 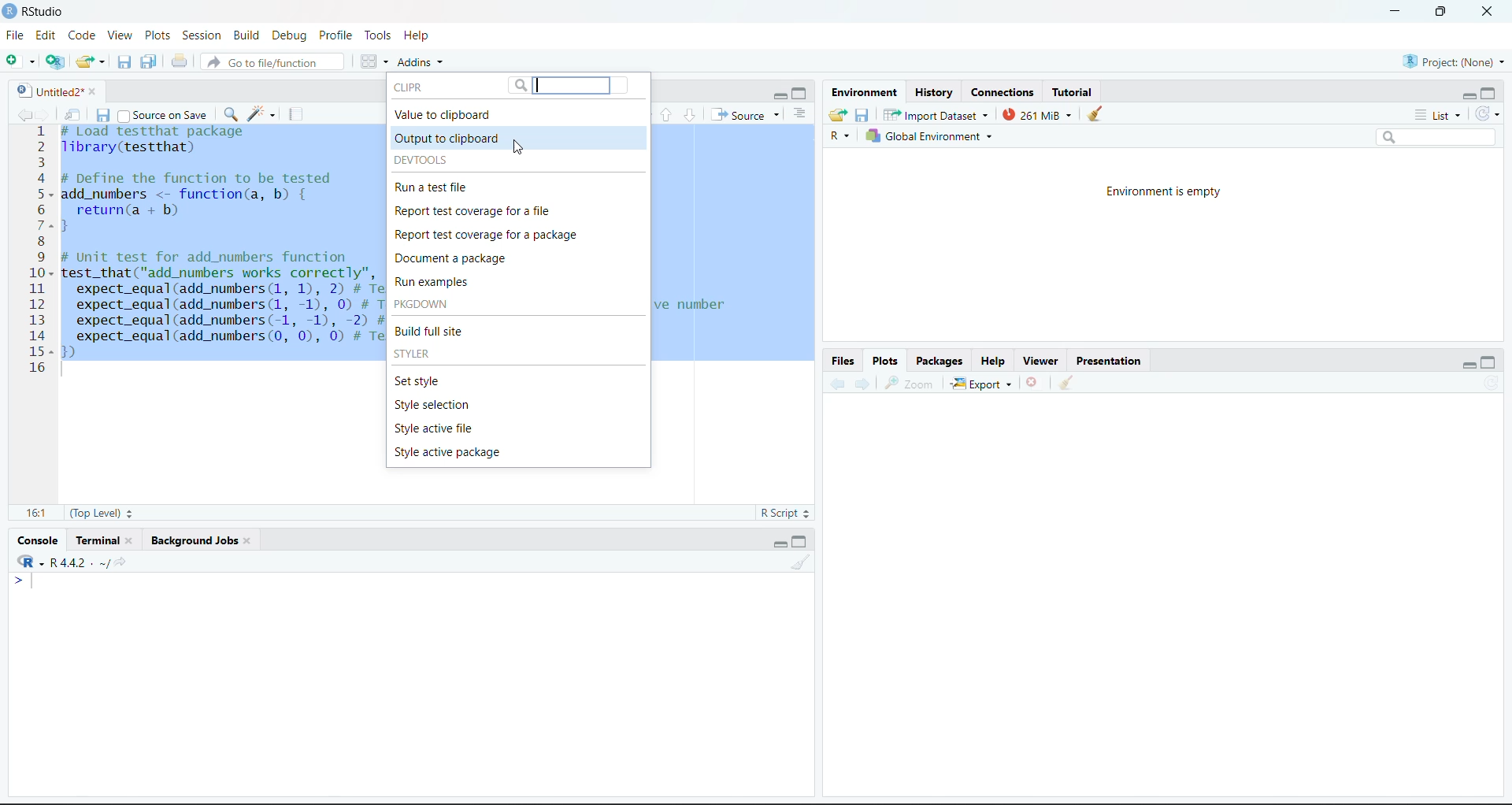 I want to click on Source on save, so click(x=162, y=116).